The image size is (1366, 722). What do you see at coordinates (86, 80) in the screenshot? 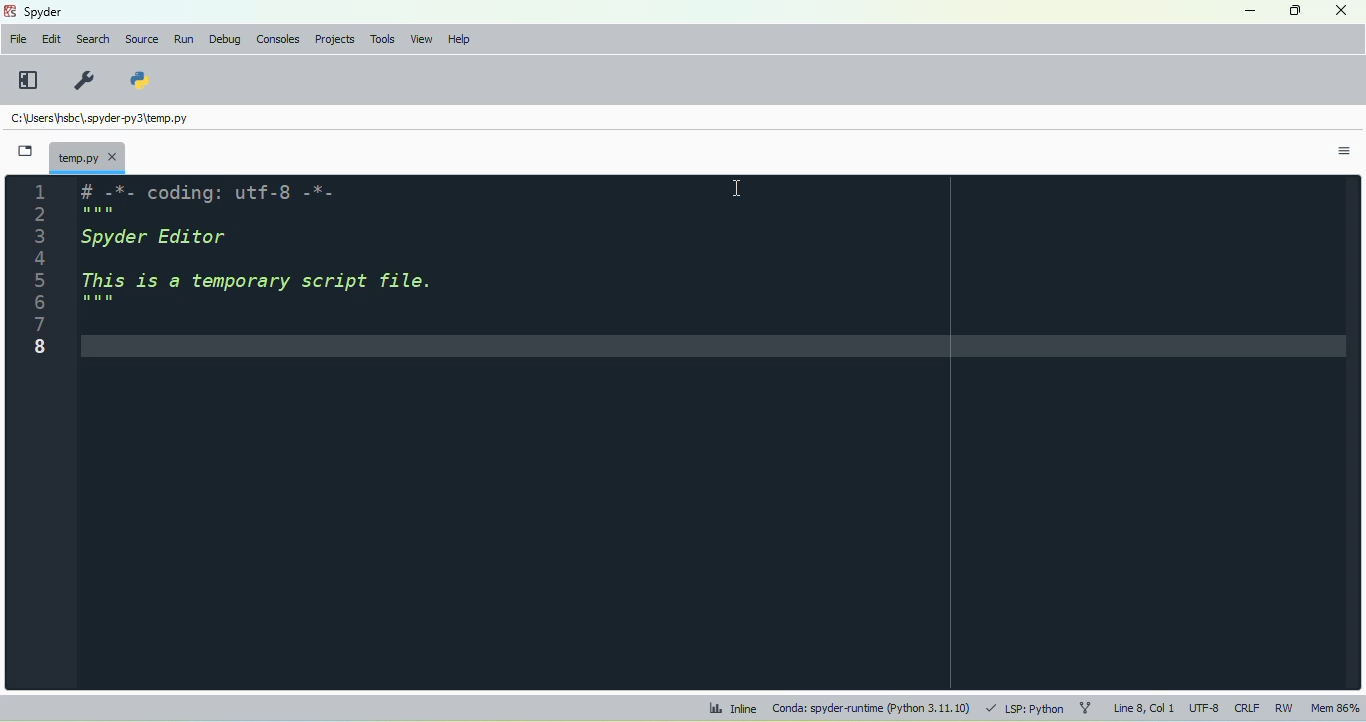
I see `preferences` at bounding box center [86, 80].